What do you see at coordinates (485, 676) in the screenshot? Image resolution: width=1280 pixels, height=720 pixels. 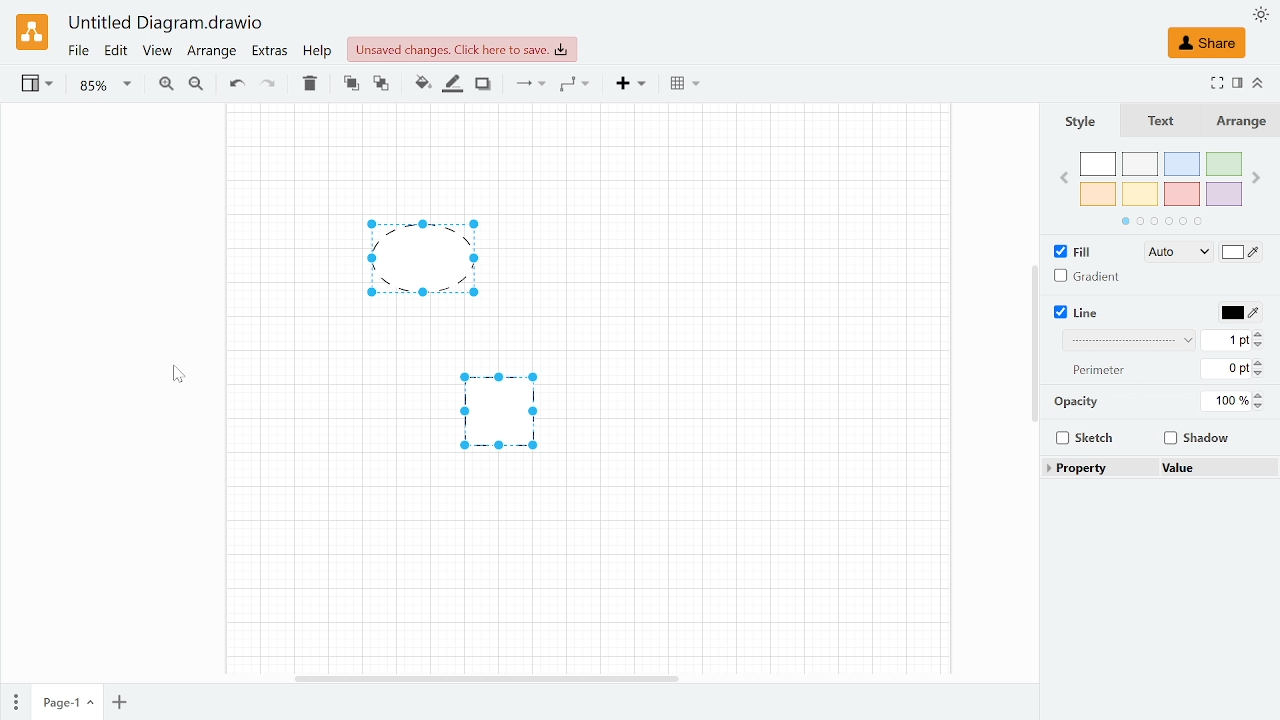 I see `Horizontal scrollbar` at bounding box center [485, 676].